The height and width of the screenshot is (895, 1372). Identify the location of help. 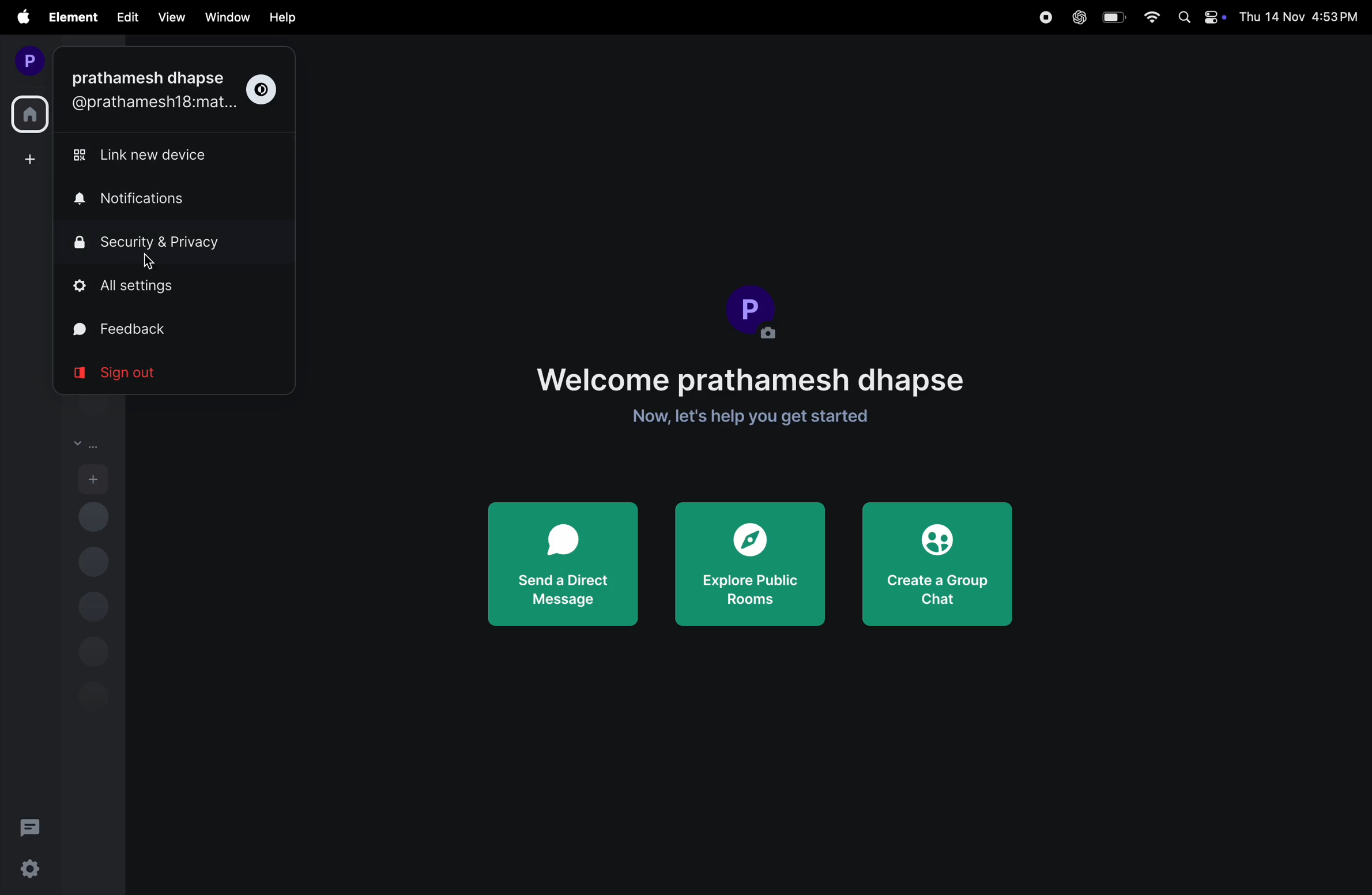
(288, 16).